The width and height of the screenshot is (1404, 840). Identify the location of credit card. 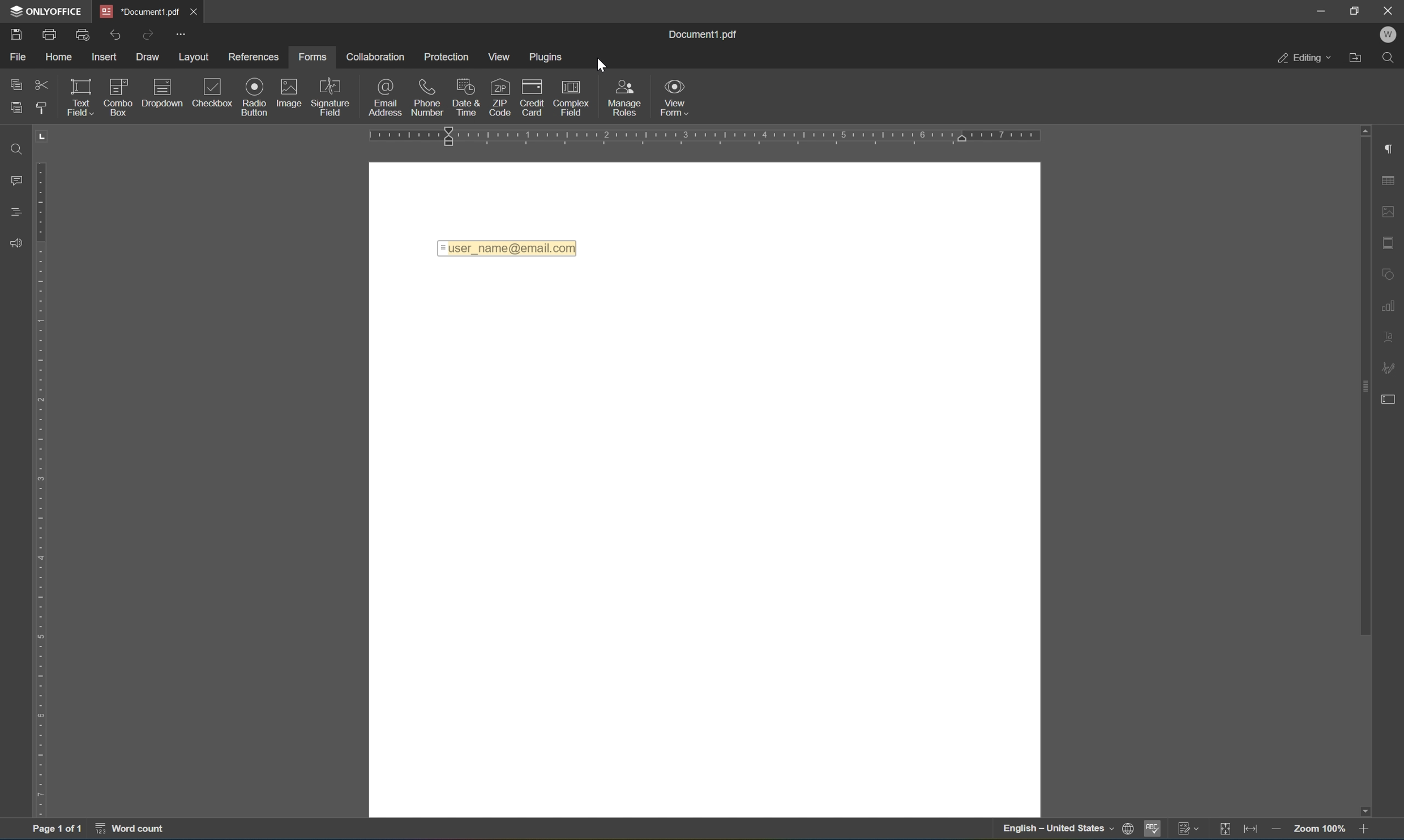
(531, 98).